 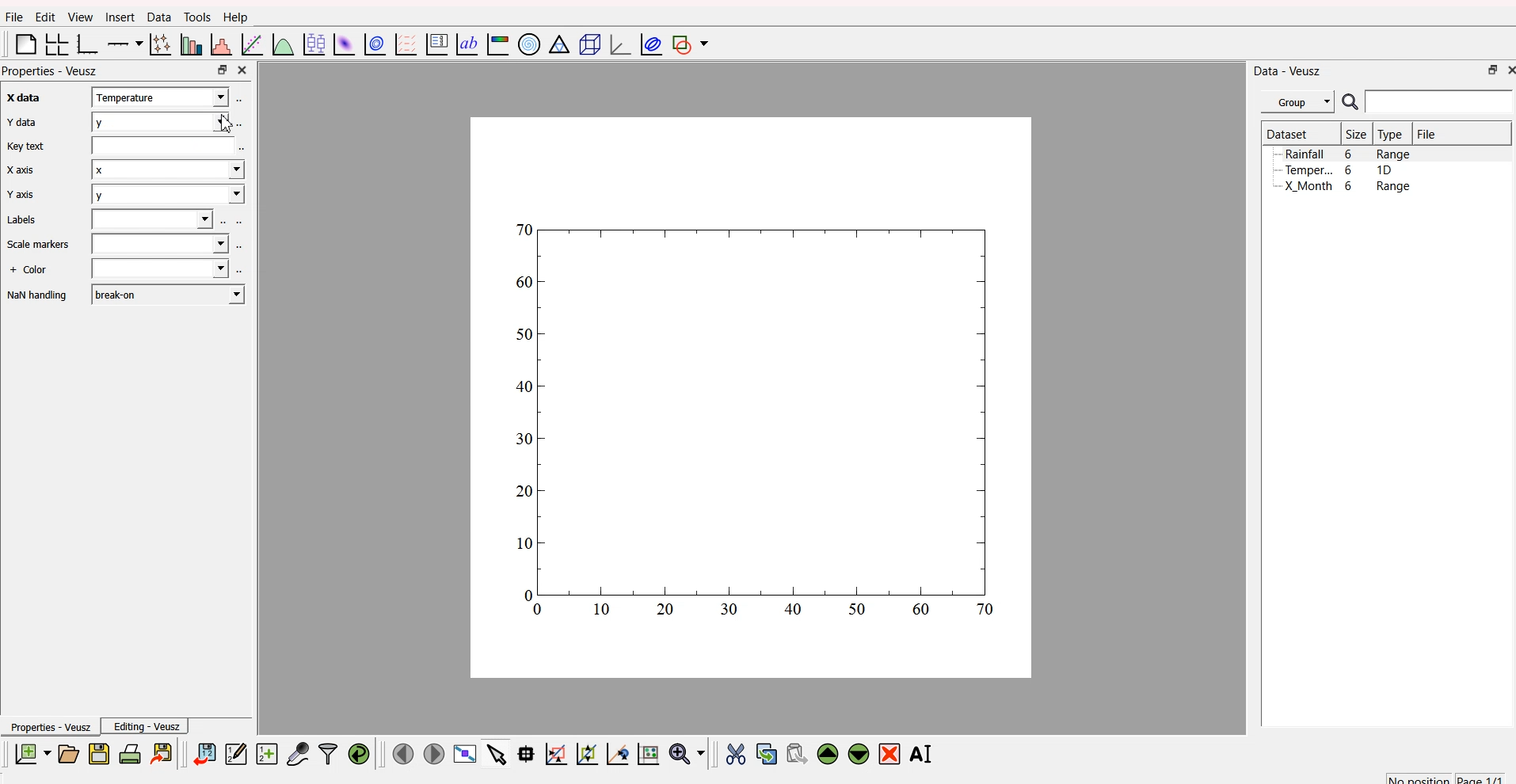 I want to click on Flle, so click(x=14, y=19).